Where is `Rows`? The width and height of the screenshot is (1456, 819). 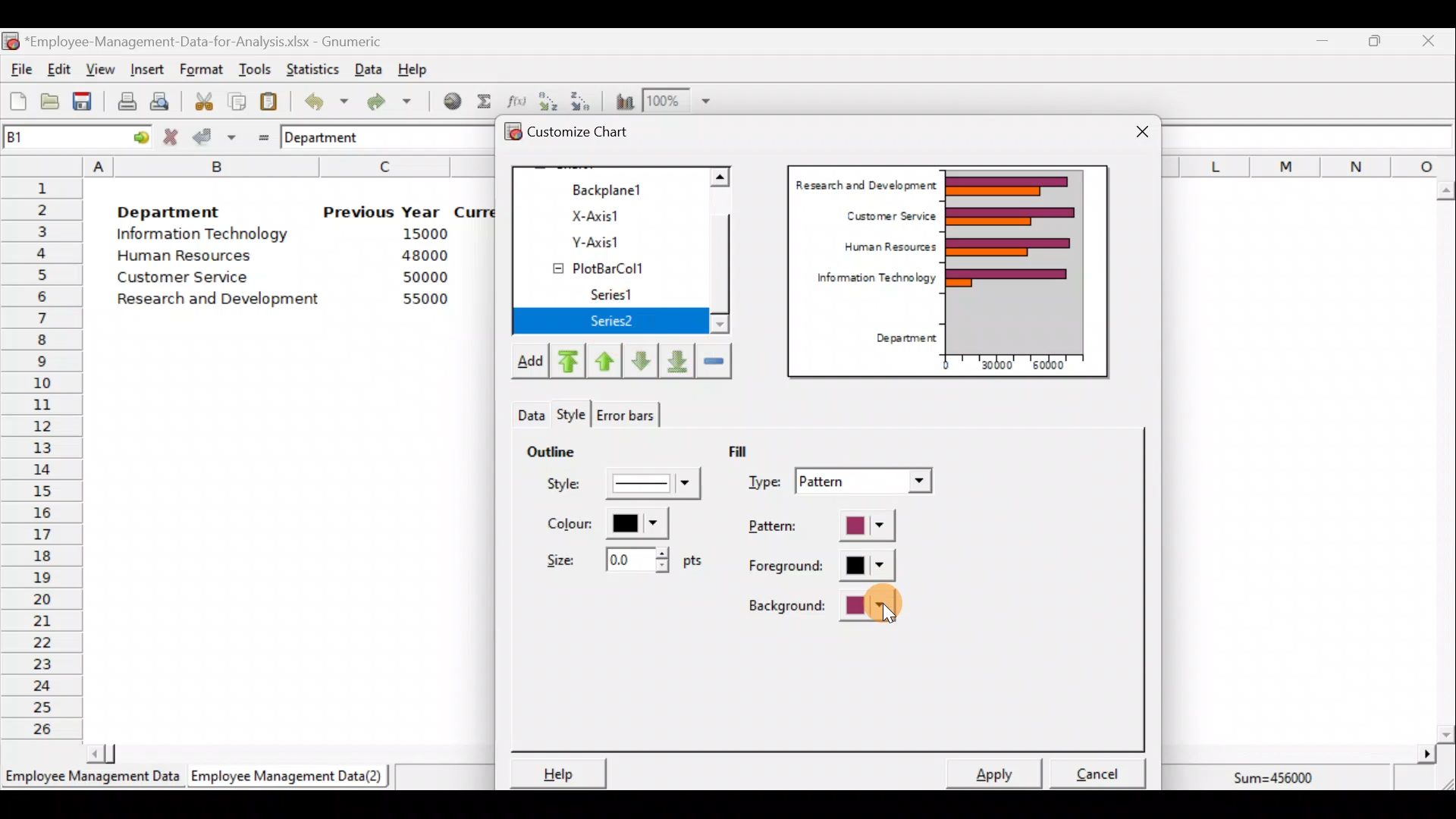
Rows is located at coordinates (42, 456).